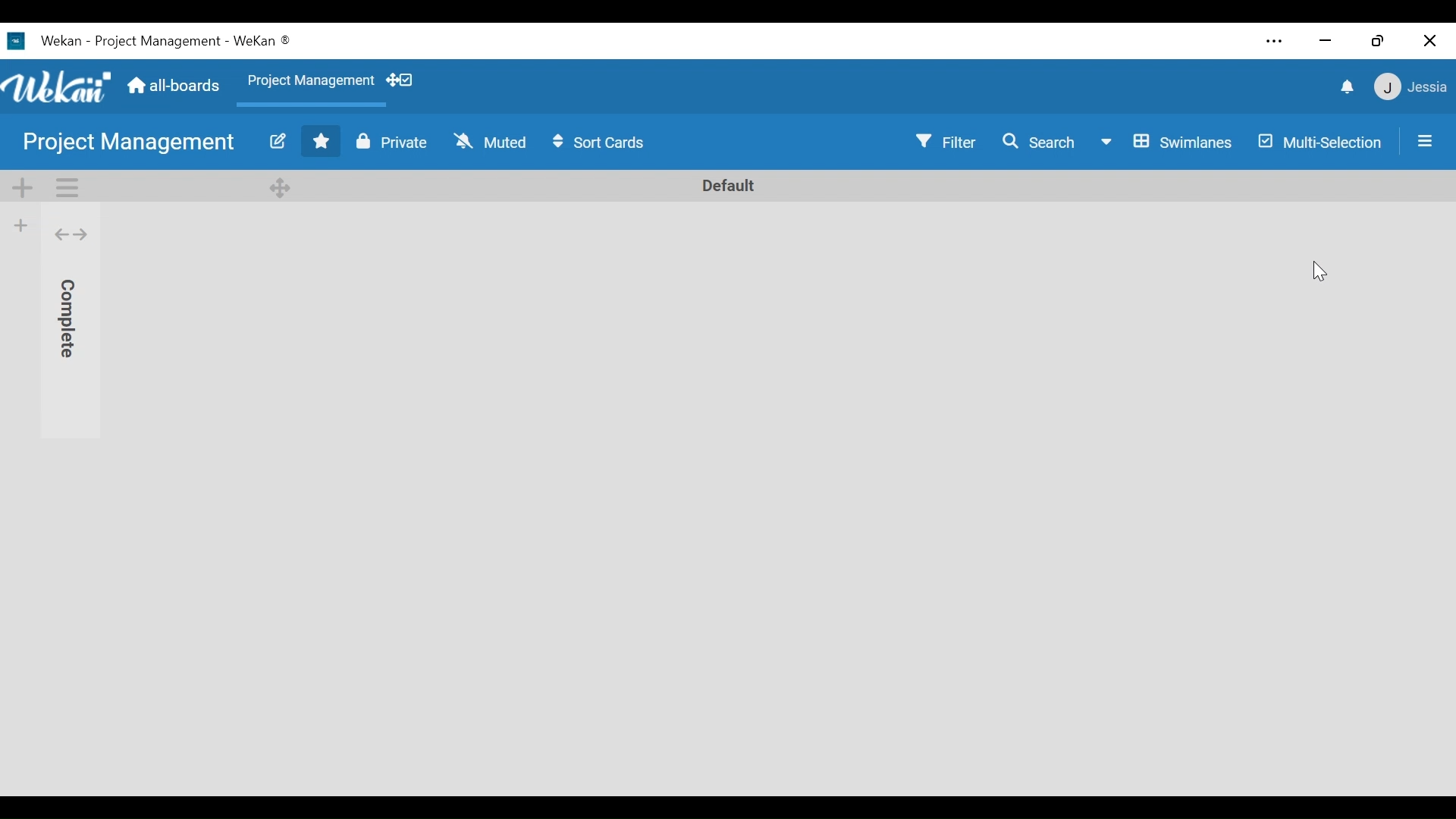  I want to click on Expand, so click(71, 235).